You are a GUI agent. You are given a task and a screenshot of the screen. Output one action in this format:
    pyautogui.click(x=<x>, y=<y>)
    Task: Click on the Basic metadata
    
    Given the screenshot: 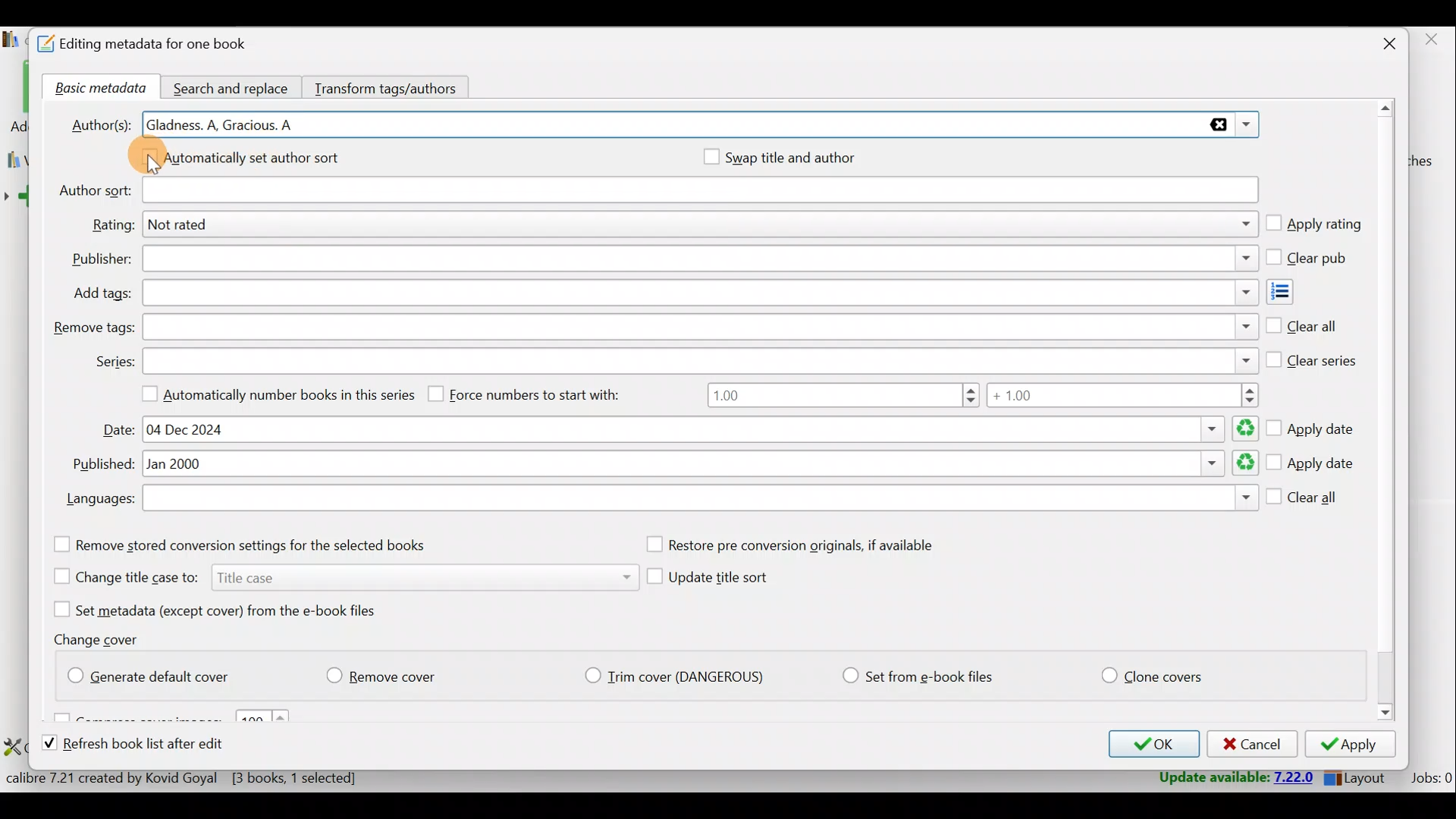 What is the action you would take?
    pyautogui.click(x=96, y=89)
    